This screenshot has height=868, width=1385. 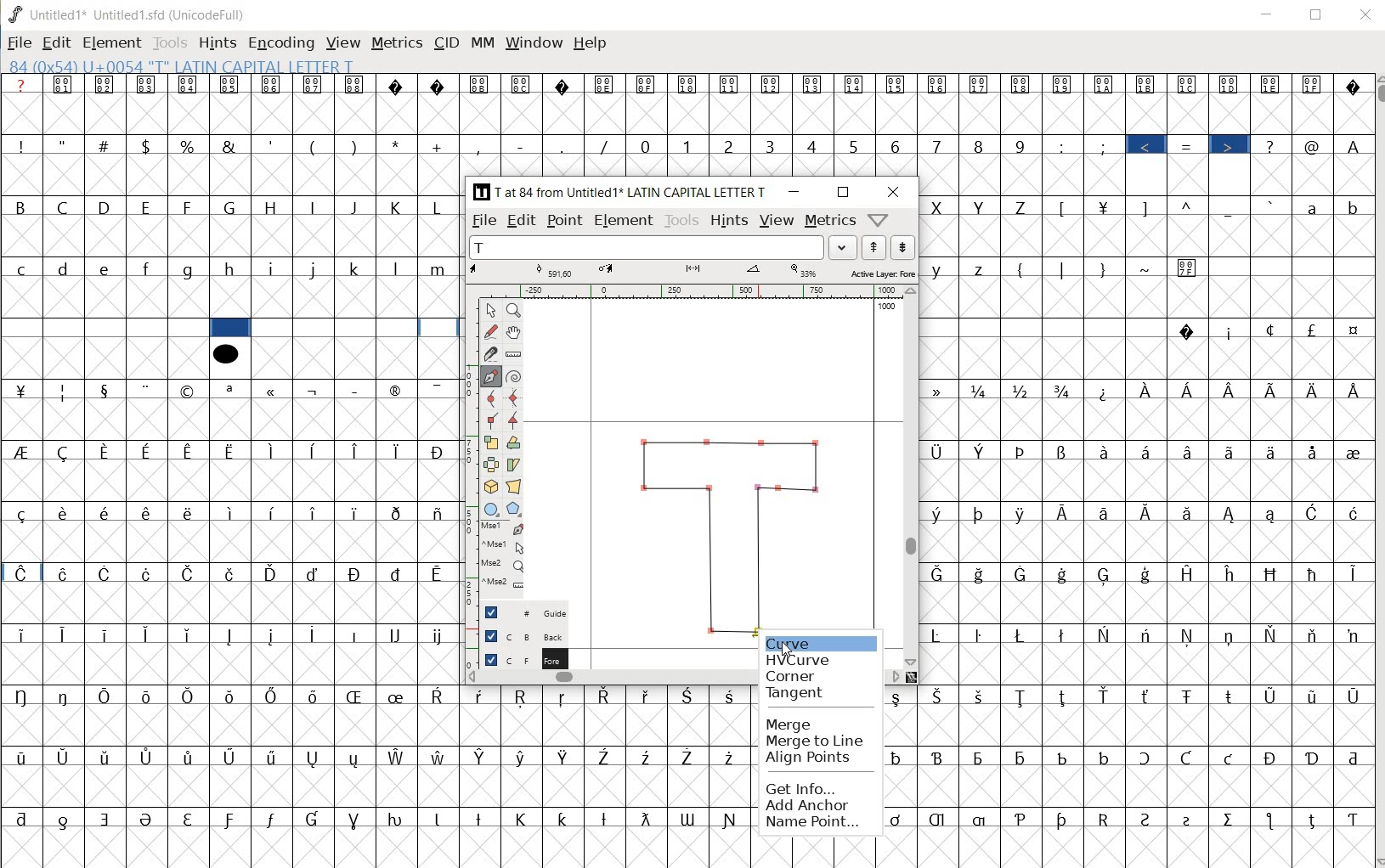 I want to click on 4, so click(x=815, y=145).